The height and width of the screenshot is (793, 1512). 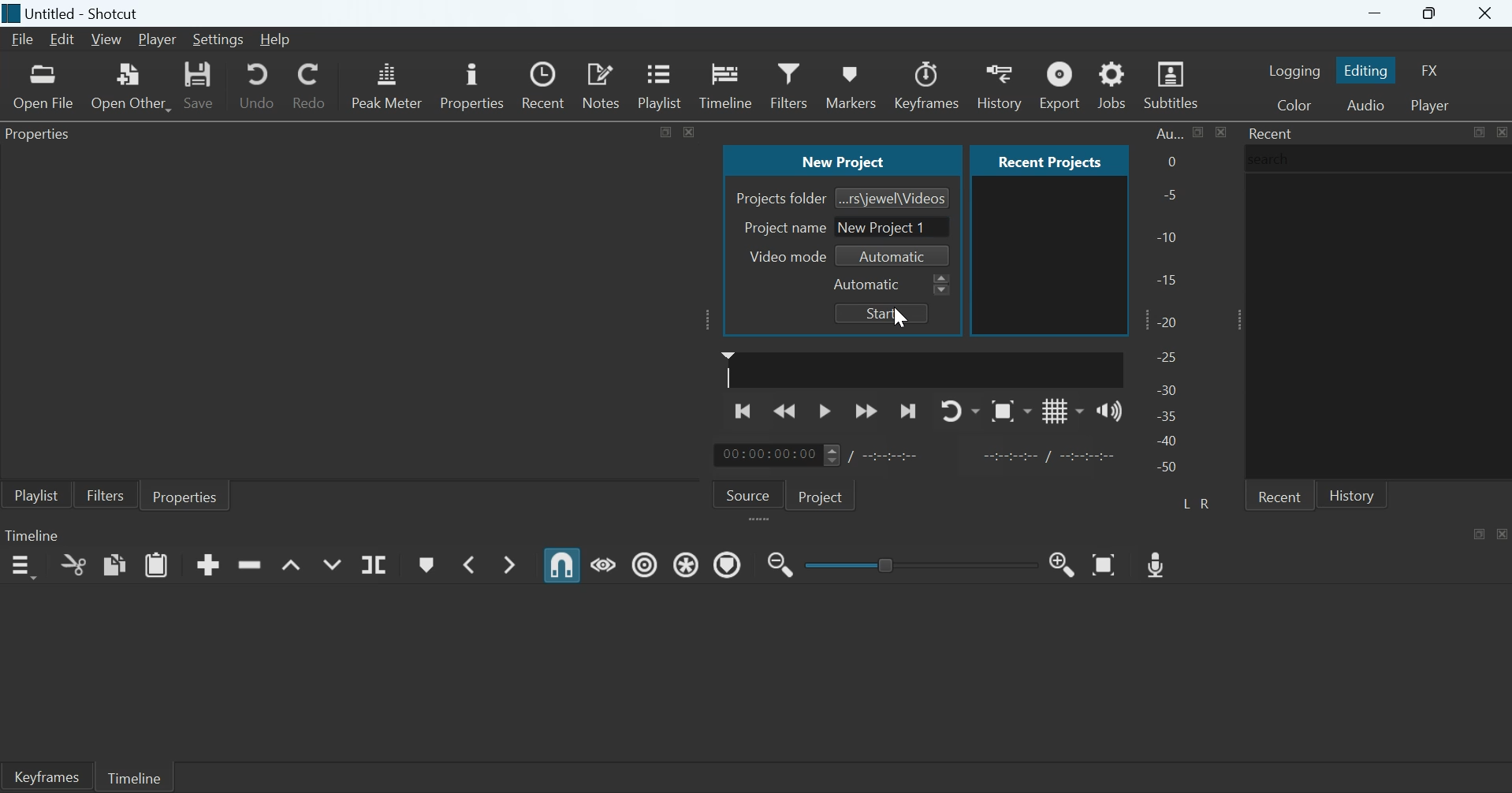 What do you see at coordinates (375, 565) in the screenshot?
I see `Split at payhead` at bounding box center [375, 565].